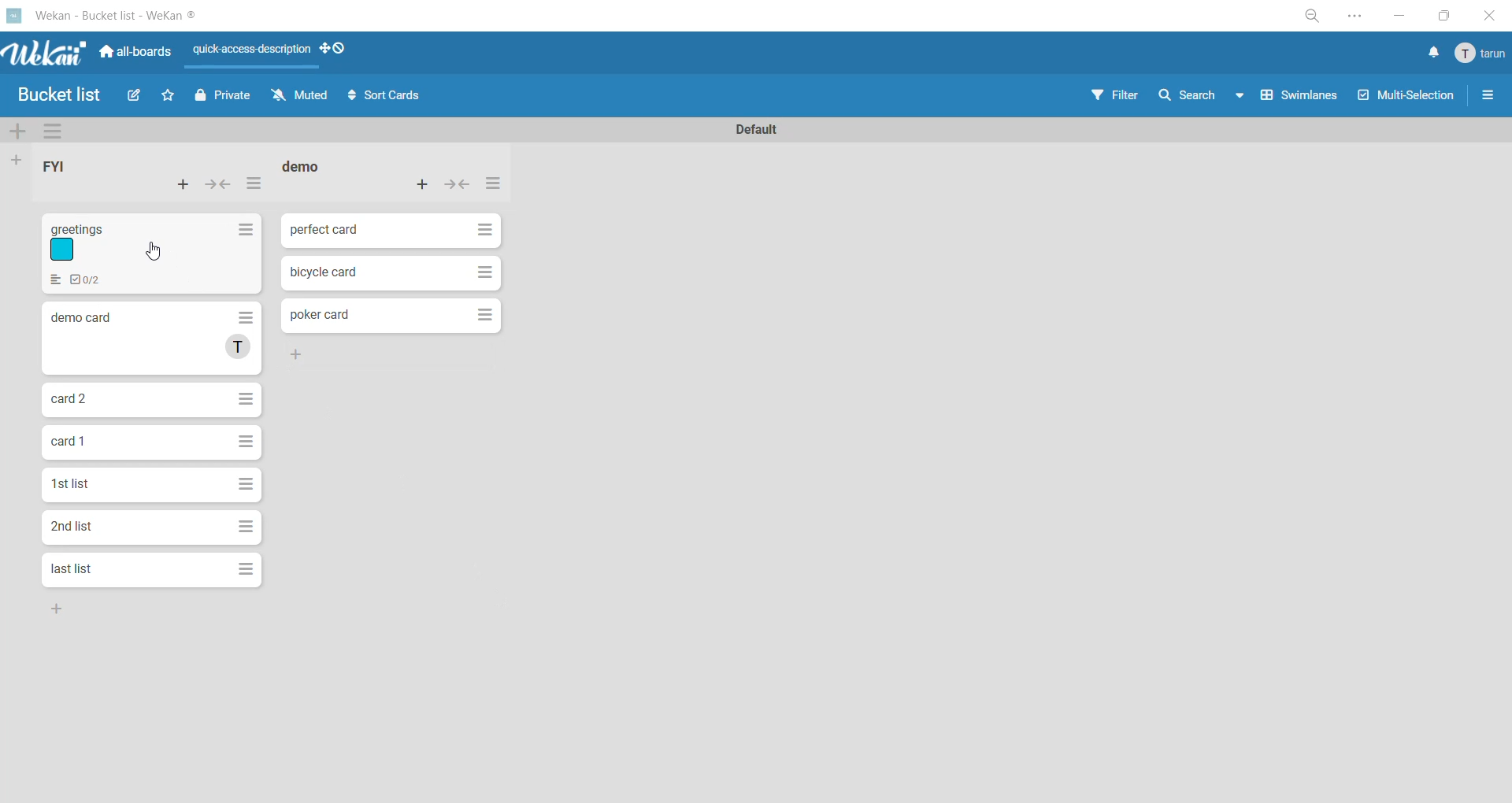  I want to click on add swimlane, so click(15, 133).